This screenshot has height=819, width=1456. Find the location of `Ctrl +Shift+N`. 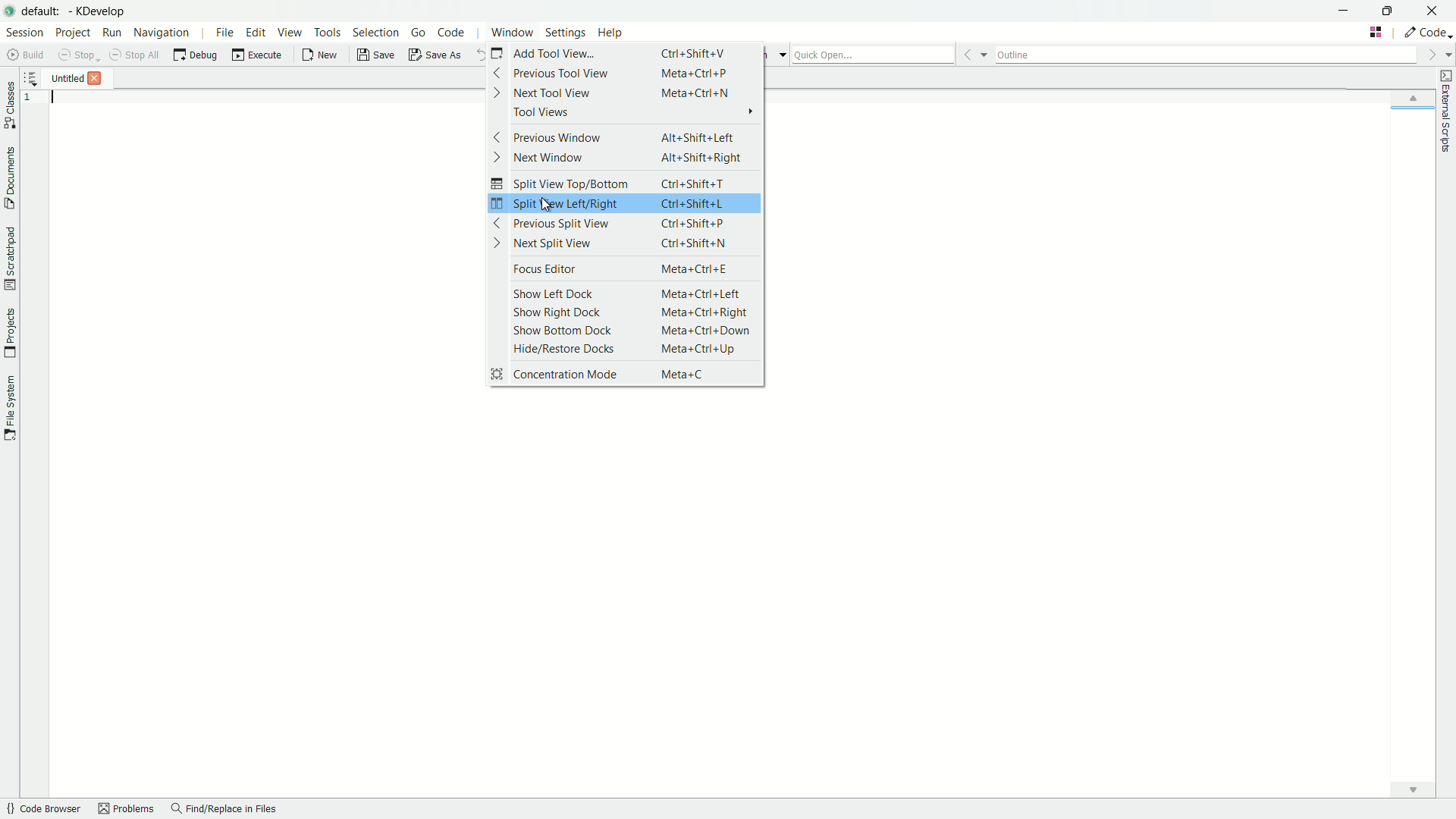

Ctrl +Shift+N is located at coordinates (697, 244).